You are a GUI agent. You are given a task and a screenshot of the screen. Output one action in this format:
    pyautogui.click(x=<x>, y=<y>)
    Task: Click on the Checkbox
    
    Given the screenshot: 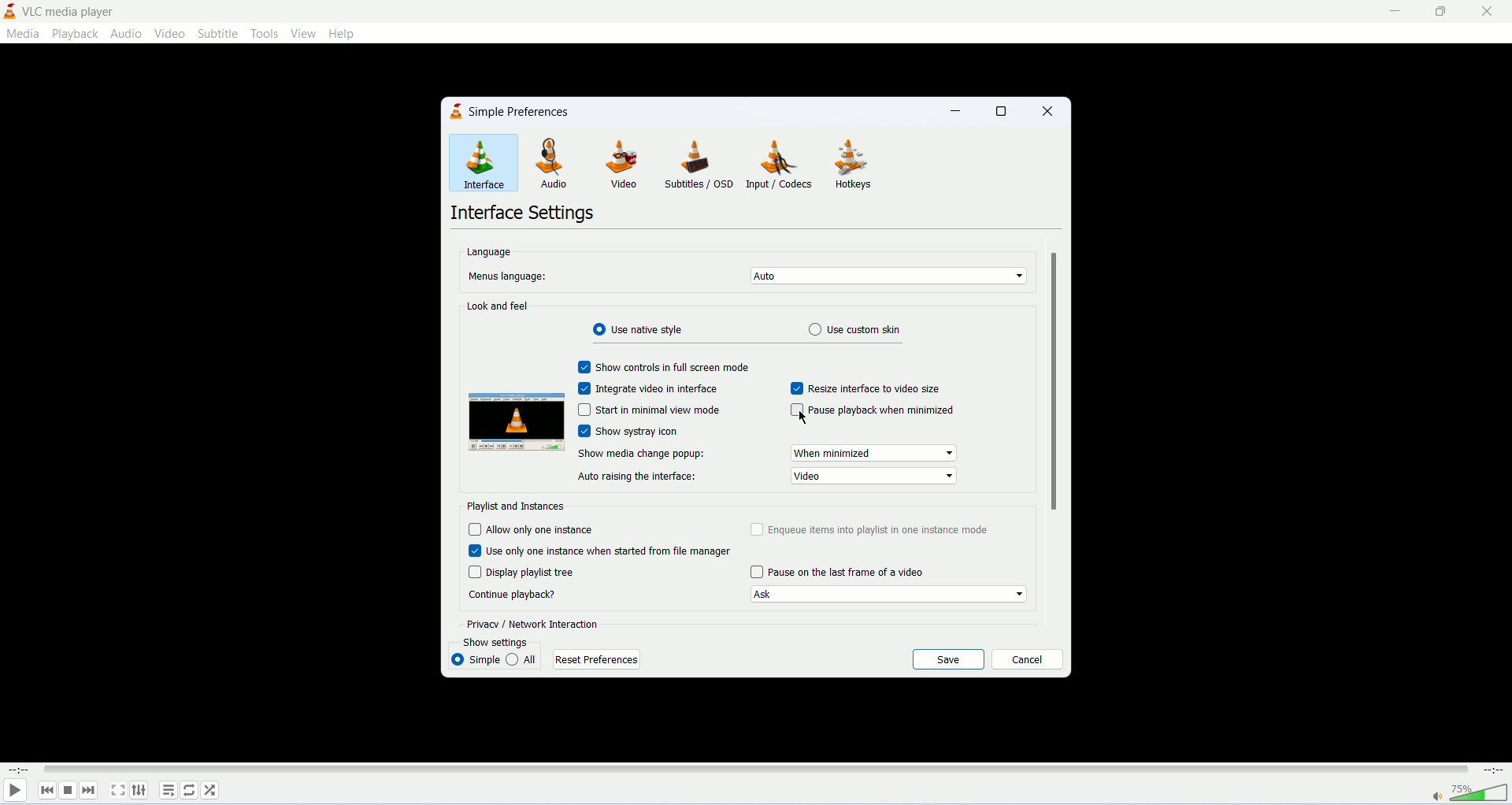 What is the action you would take?
    pyautogui.click(x=796, y=410)
    